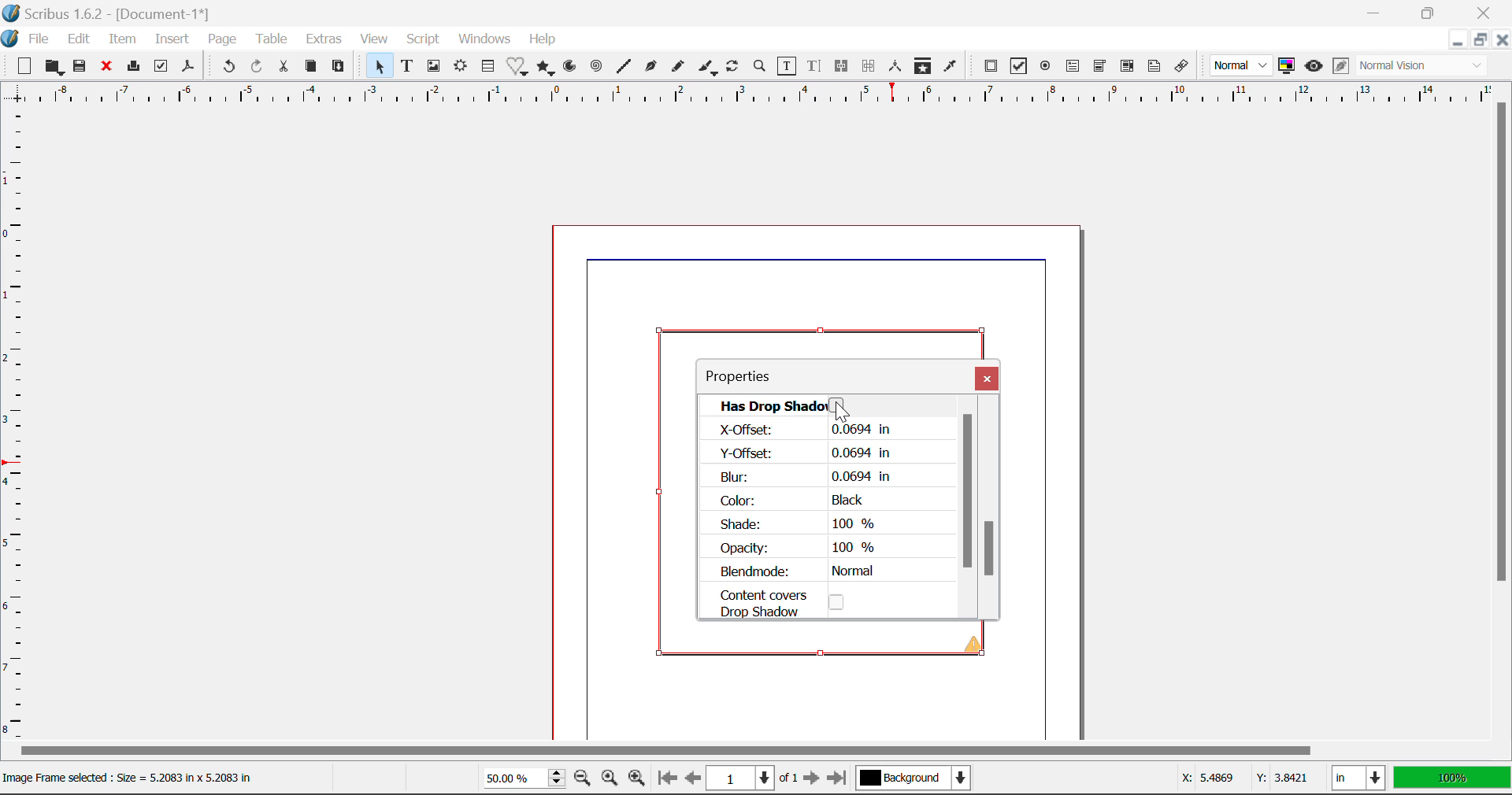 This screenshot has height=795, width=1512. What do you see at coordinates (921, 66) in the screenshot?
I see `Copy Item Properties` at bounding box center [921, 66].